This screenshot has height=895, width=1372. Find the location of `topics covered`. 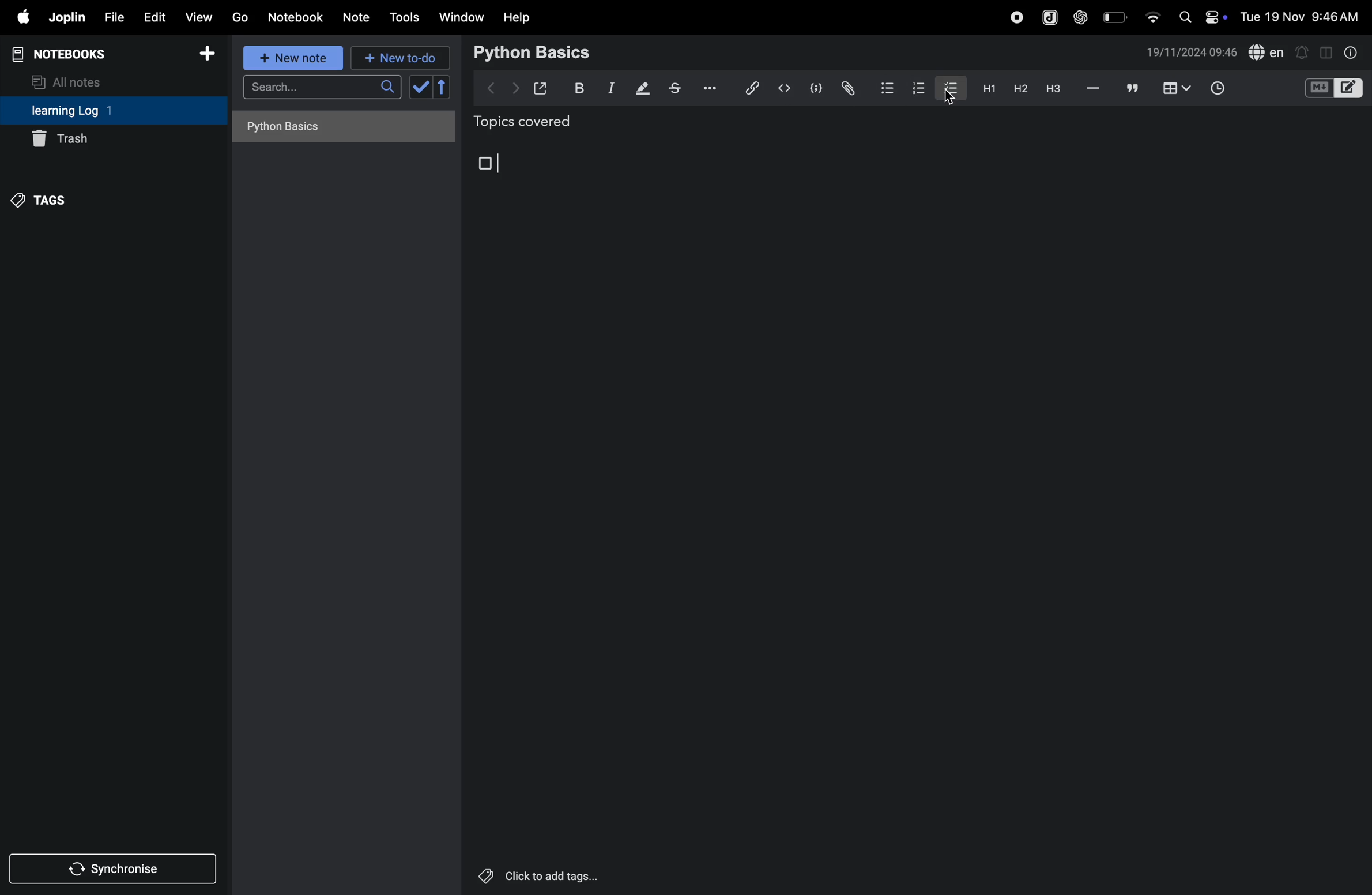

topics covered is located at coordinates (536, 123).